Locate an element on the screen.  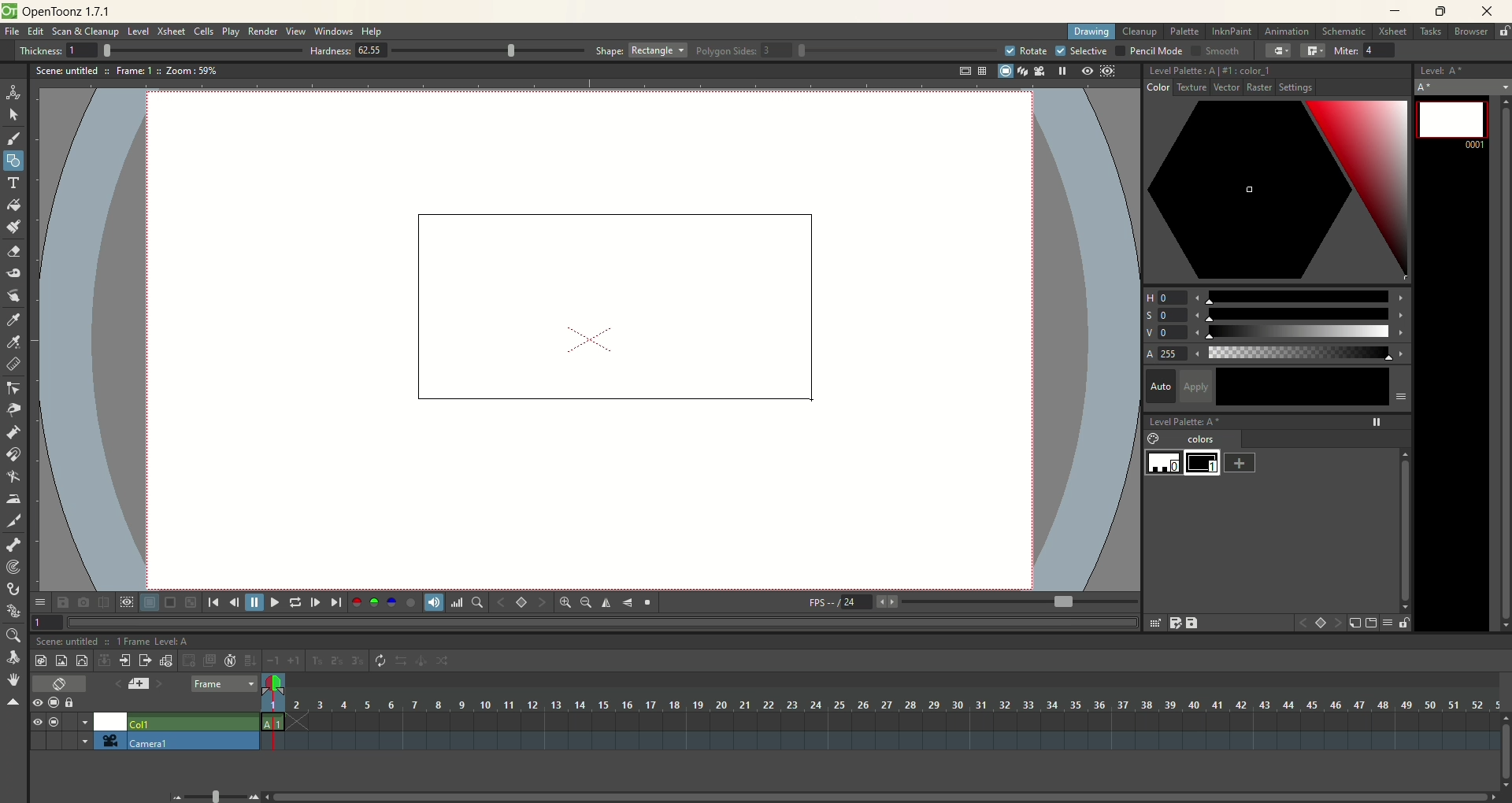
checkered background is located at coordinates (192, 602).